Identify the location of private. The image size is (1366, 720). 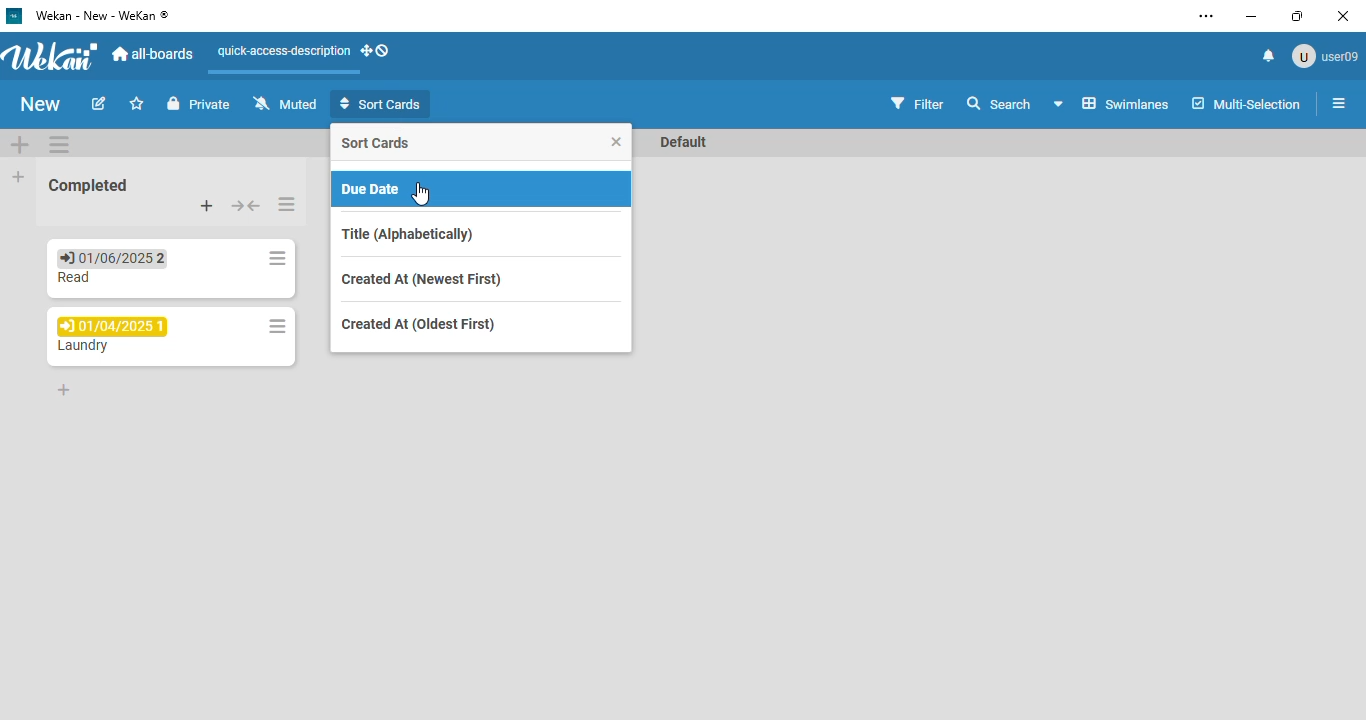
(199, 103).